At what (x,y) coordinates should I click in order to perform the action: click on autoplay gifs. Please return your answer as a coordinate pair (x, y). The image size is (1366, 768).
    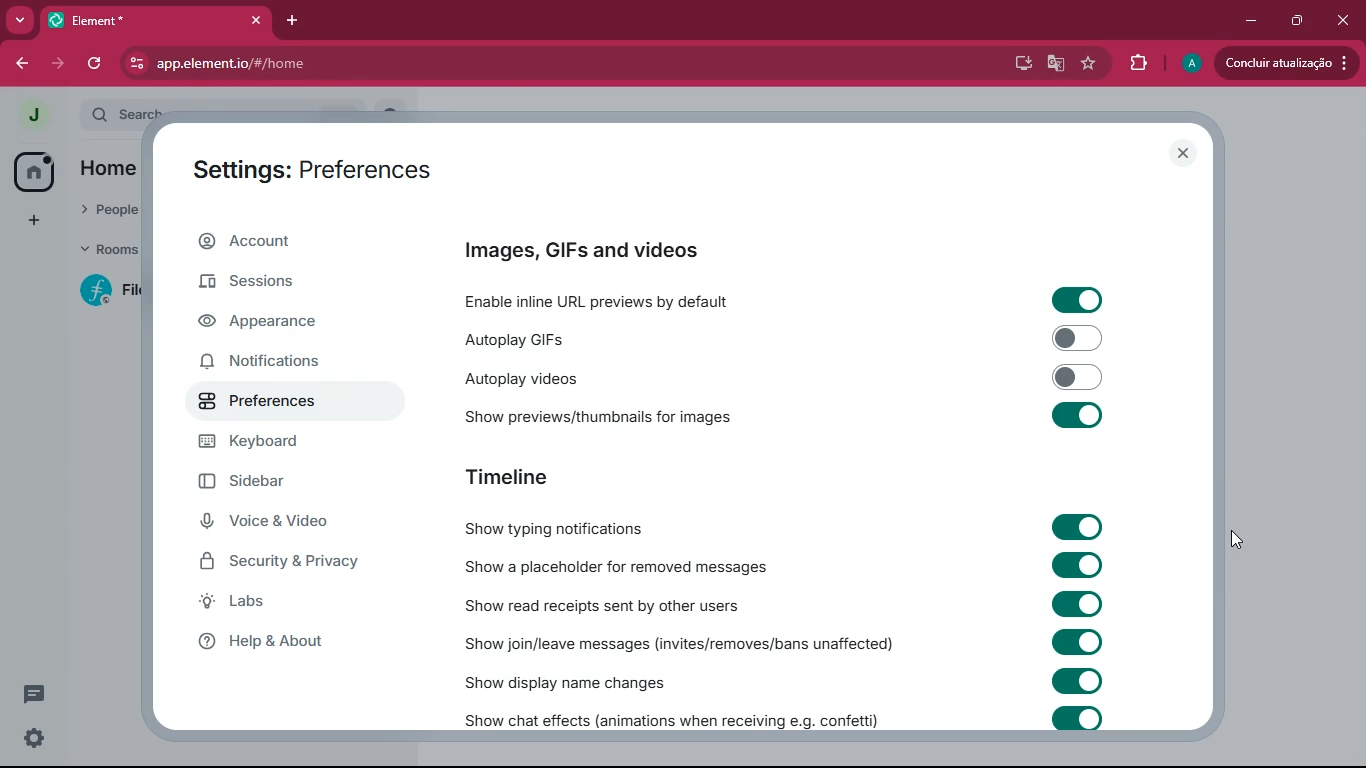
    Looking at the image, I should click on (587, 338).